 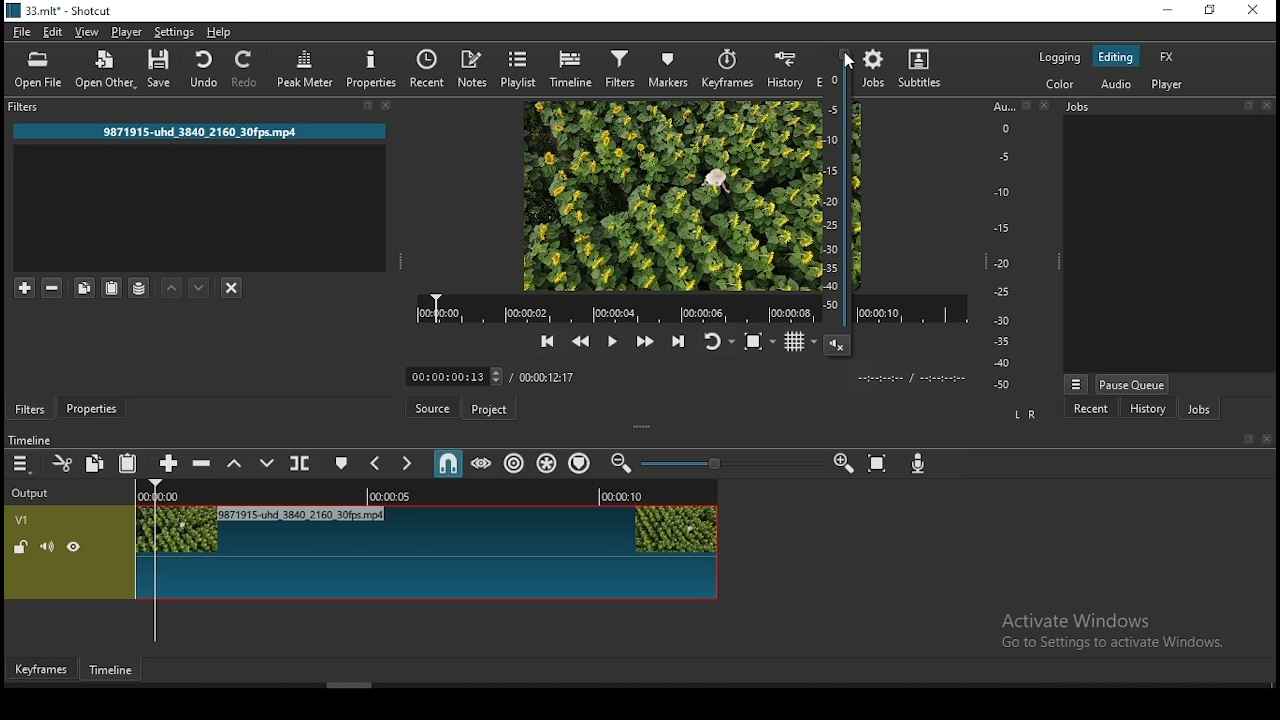 What do you see at coordinates (428, 69) in the screenshot?
I see `split at playhead` at bounding box center [428, 69].